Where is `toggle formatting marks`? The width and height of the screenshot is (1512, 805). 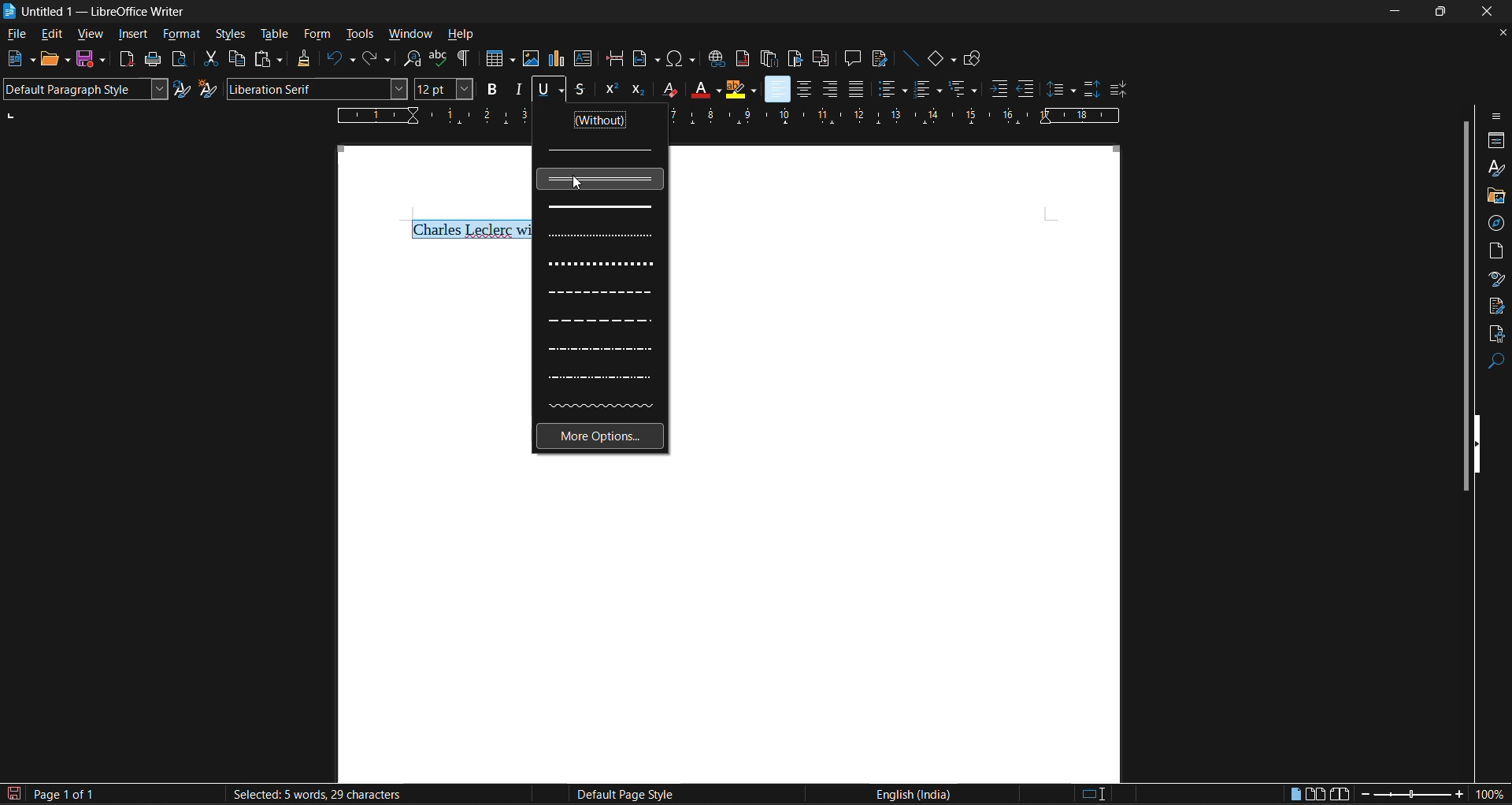
toggle formatting marks is located at coordinates (465, 58).